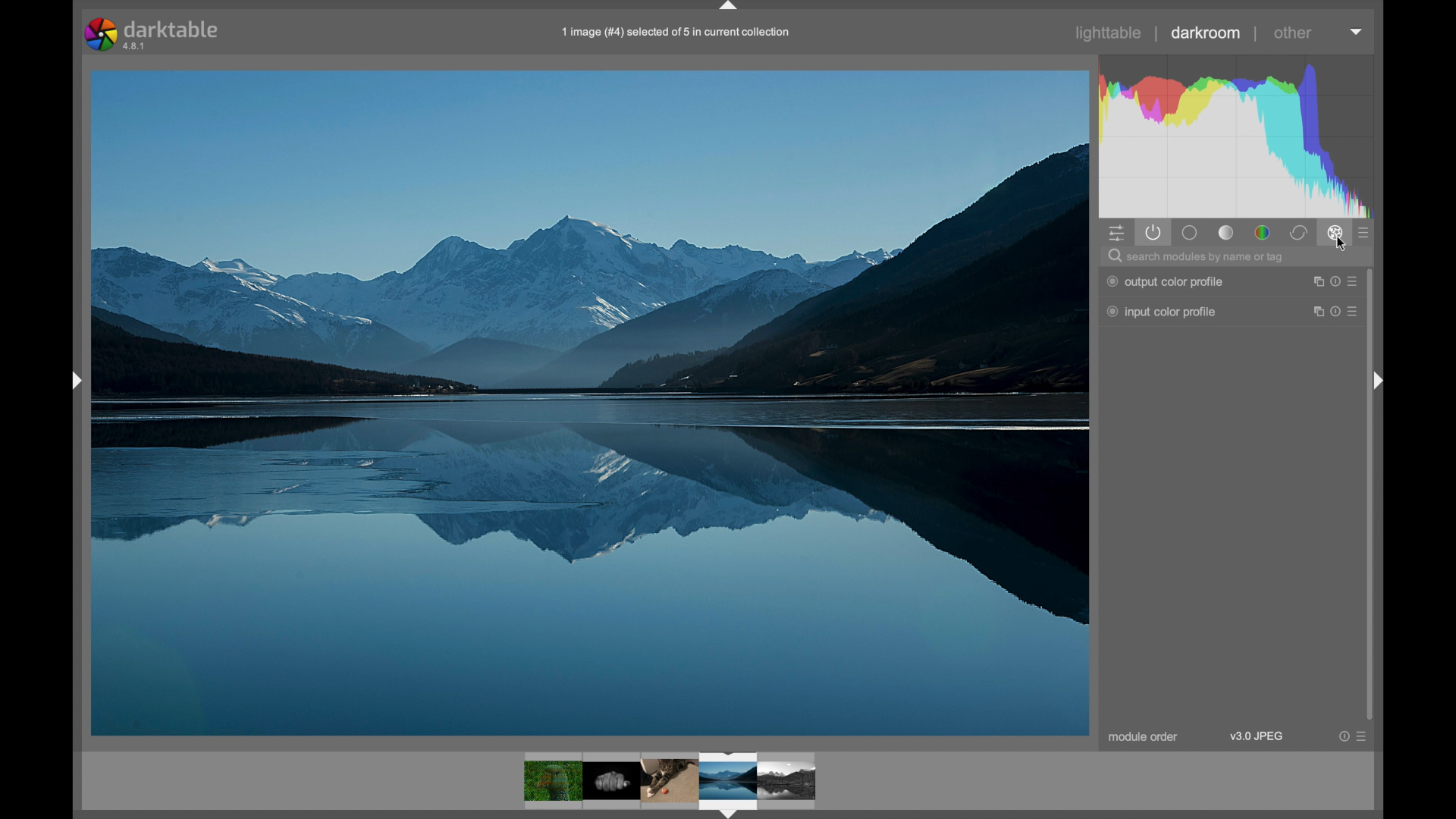 The image size is (1456, 819). Describe the element at coordinates (1342, 736) in the screenshot. I see `Help` at that location.